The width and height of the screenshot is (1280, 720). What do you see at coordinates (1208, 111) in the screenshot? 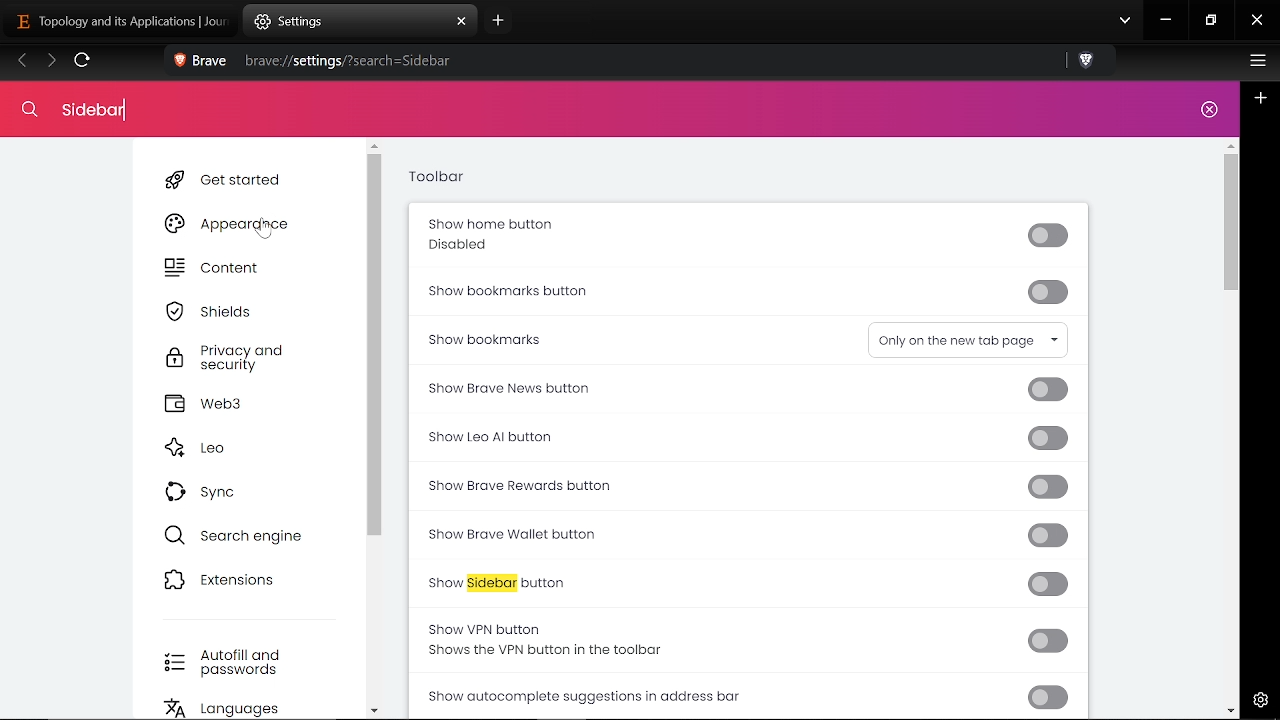
I see `Close` at bounding box center [1208, 111].